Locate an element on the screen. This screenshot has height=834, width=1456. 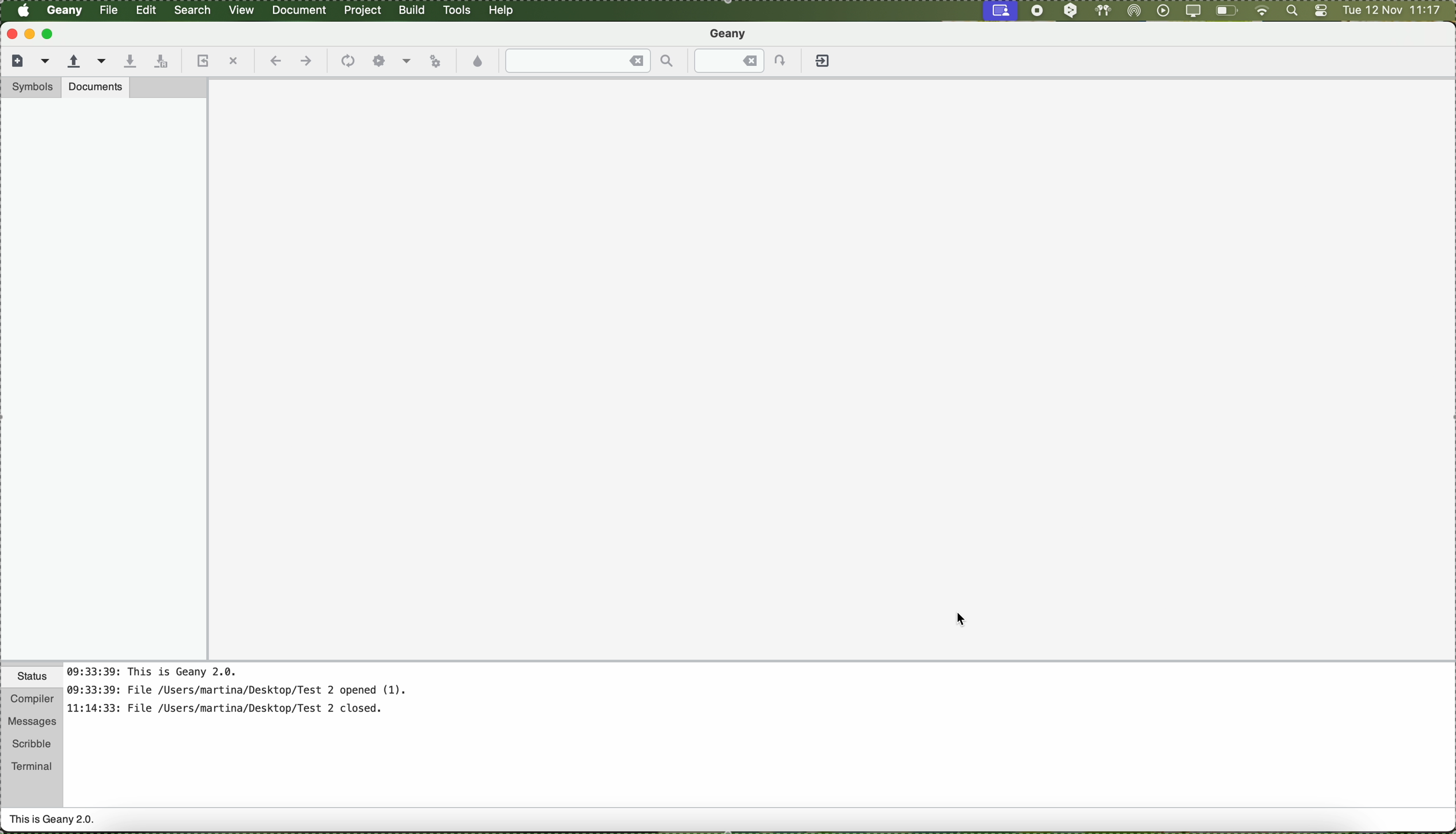
screen is located at coordinates (1005, 10).